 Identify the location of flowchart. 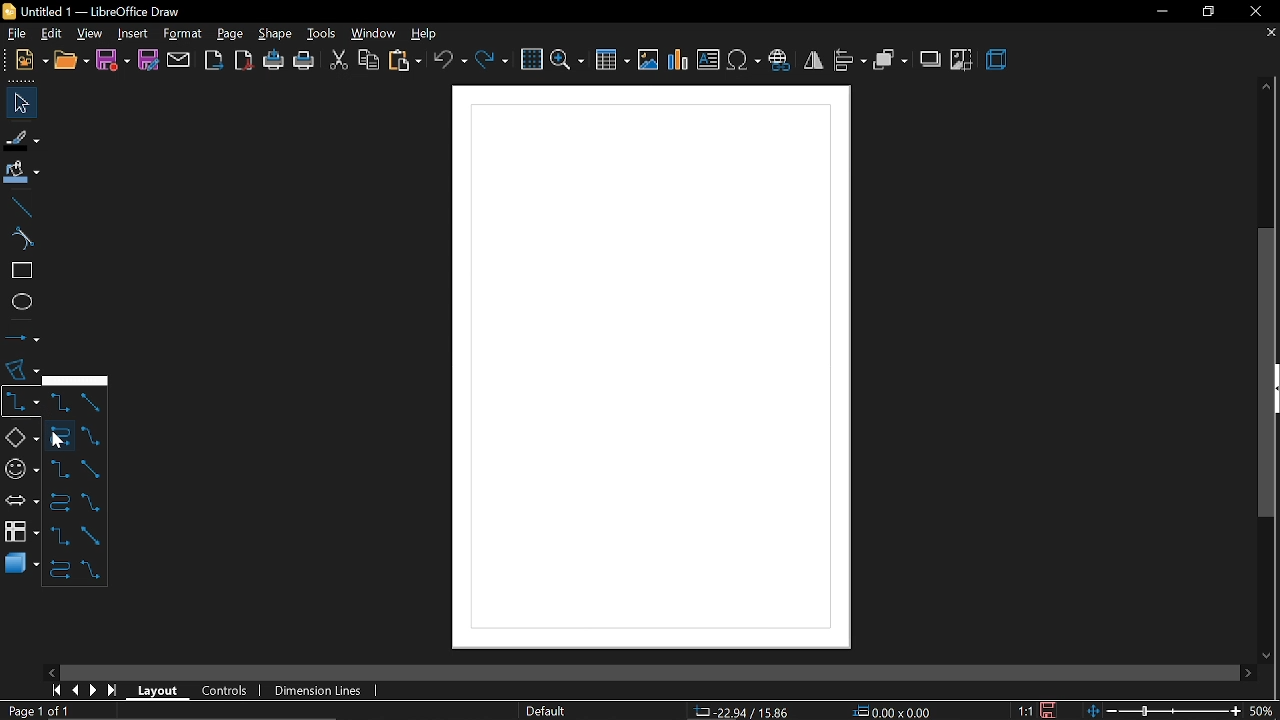
(22, 533).